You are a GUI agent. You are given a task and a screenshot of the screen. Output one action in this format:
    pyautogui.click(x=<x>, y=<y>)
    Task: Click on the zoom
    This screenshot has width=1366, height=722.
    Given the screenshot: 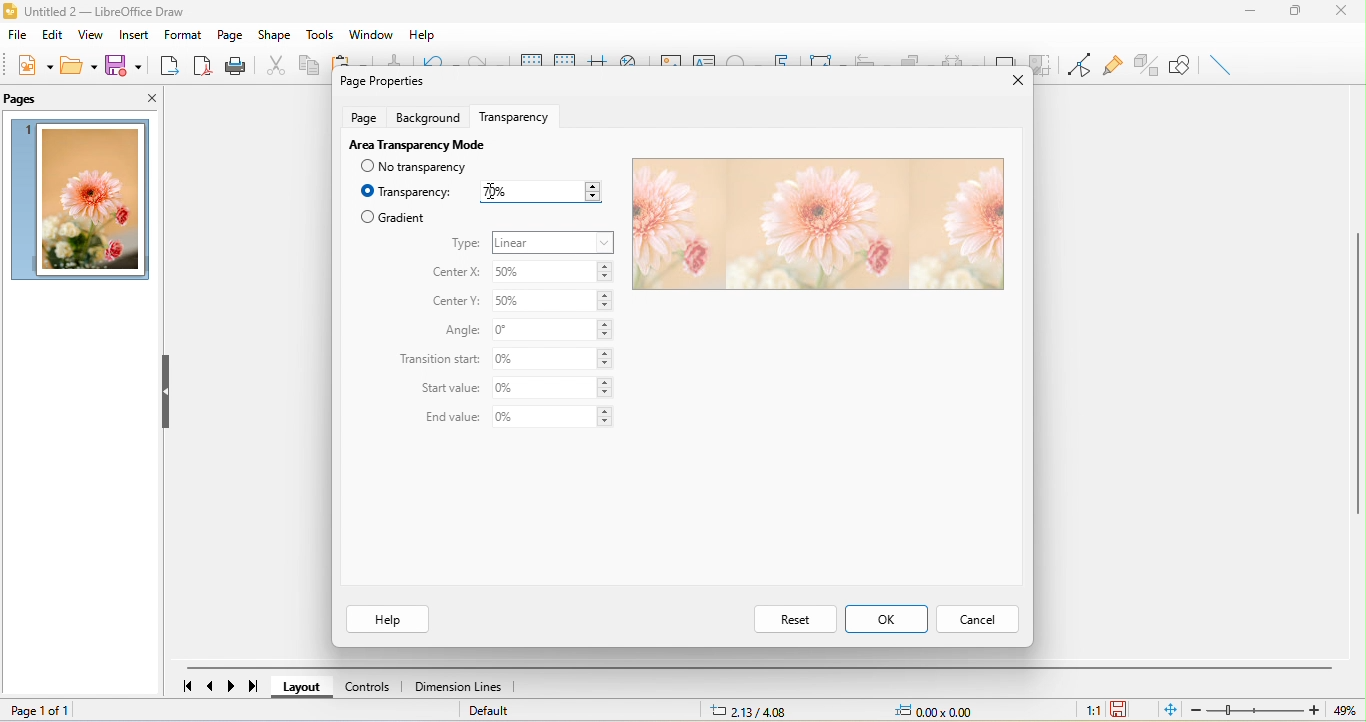 What is the action you would take?
    pyautogui.click(x=1271, y=710)
    